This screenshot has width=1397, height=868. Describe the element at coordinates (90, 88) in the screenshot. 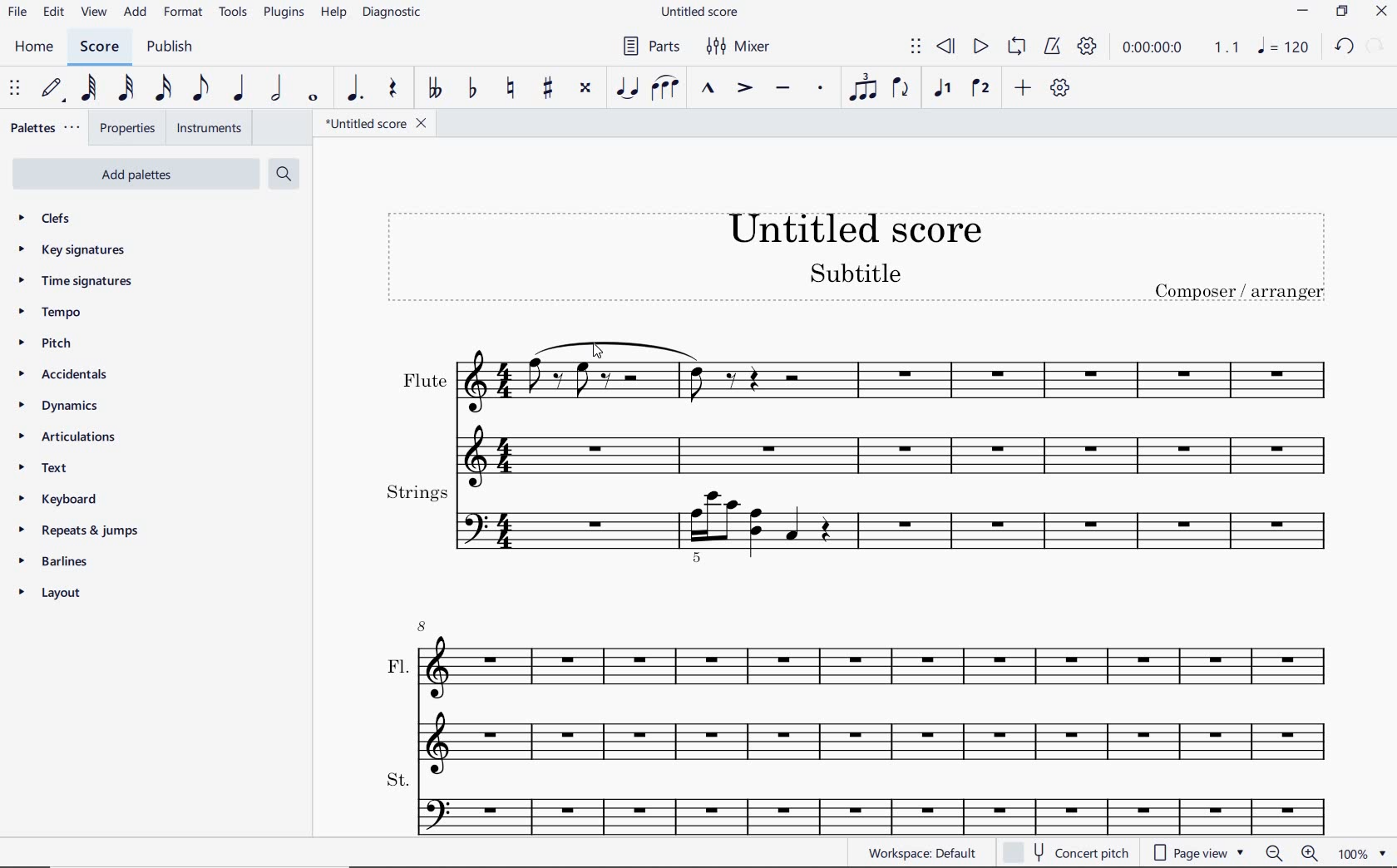

I see `64TH NOTE` at that location.